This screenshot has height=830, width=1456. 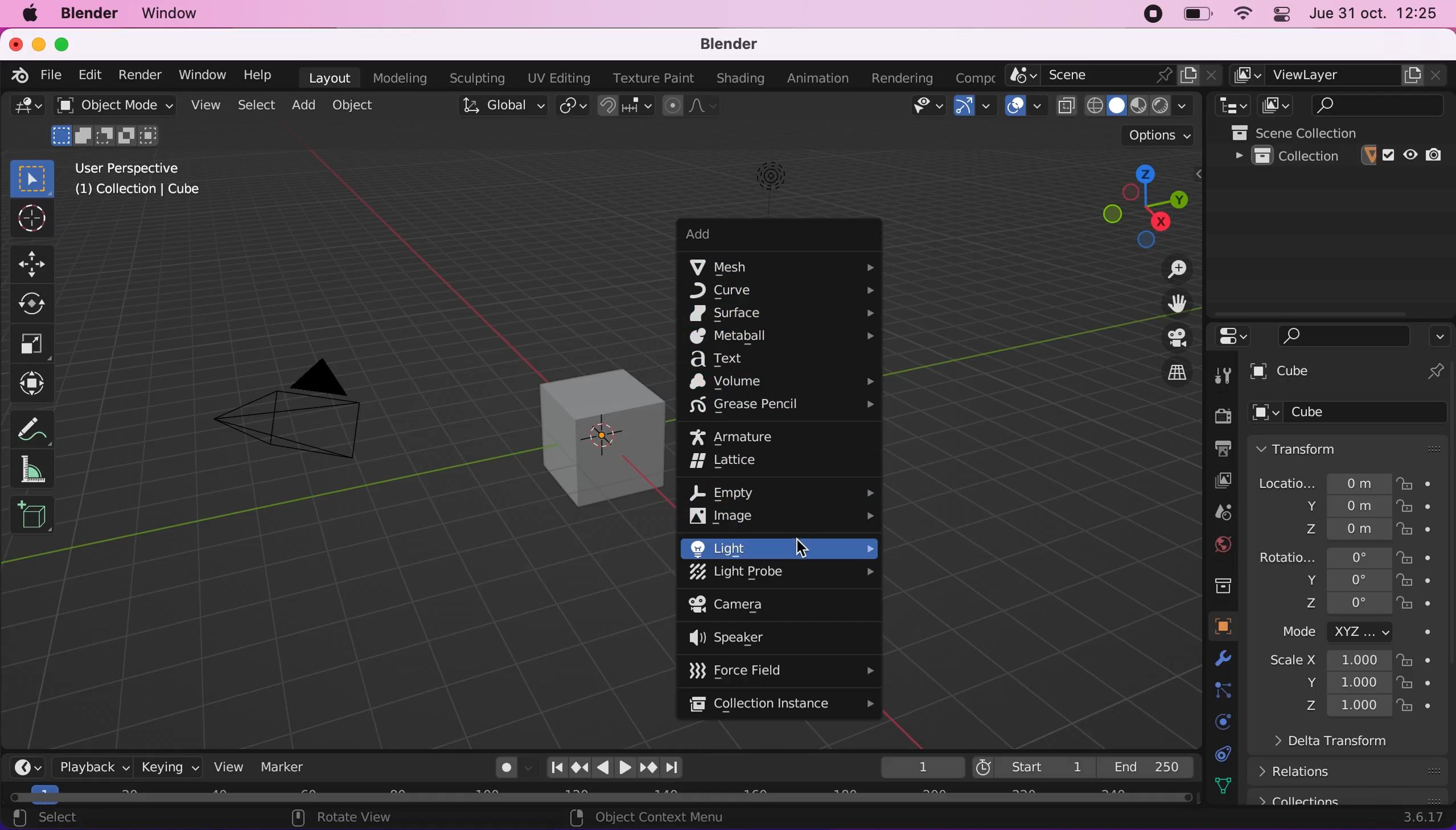 I want to click on view, so click(x=206, y=105).